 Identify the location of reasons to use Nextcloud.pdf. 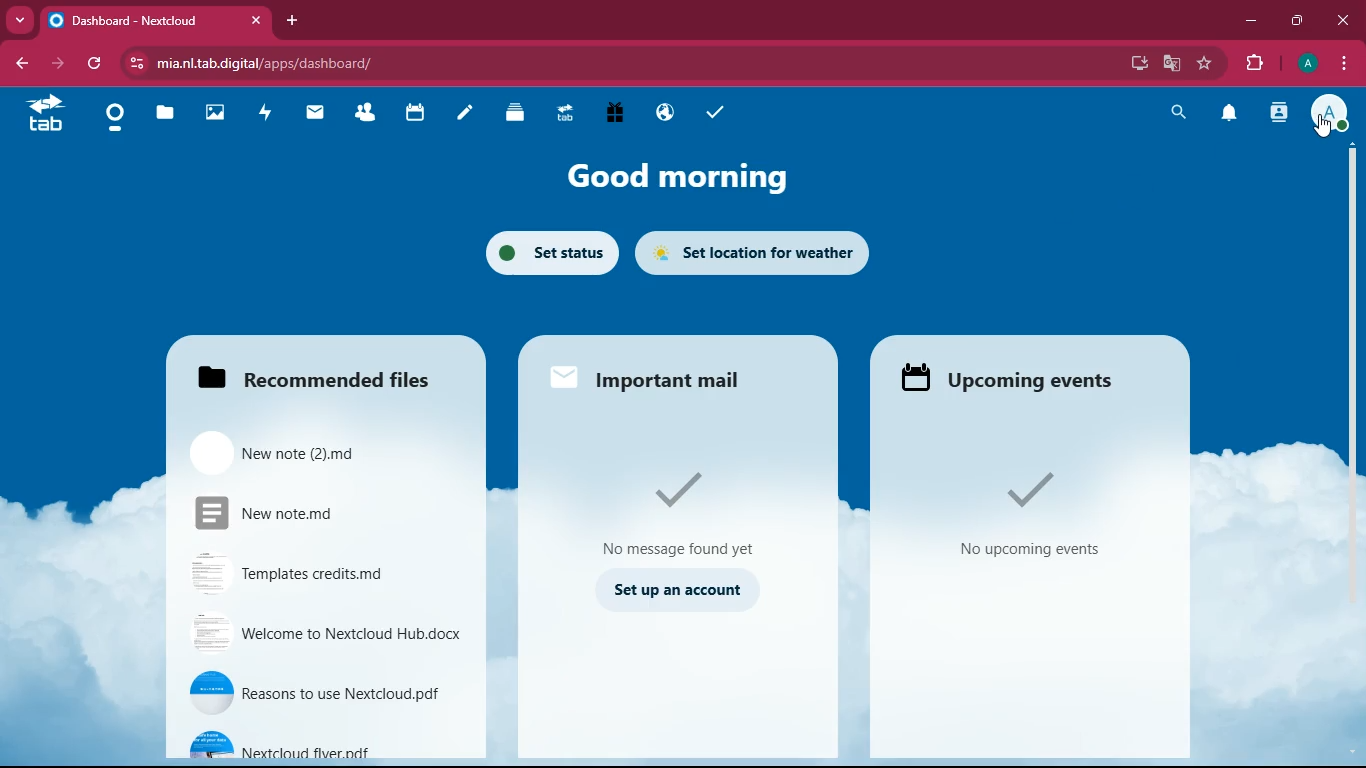
(326, 694).